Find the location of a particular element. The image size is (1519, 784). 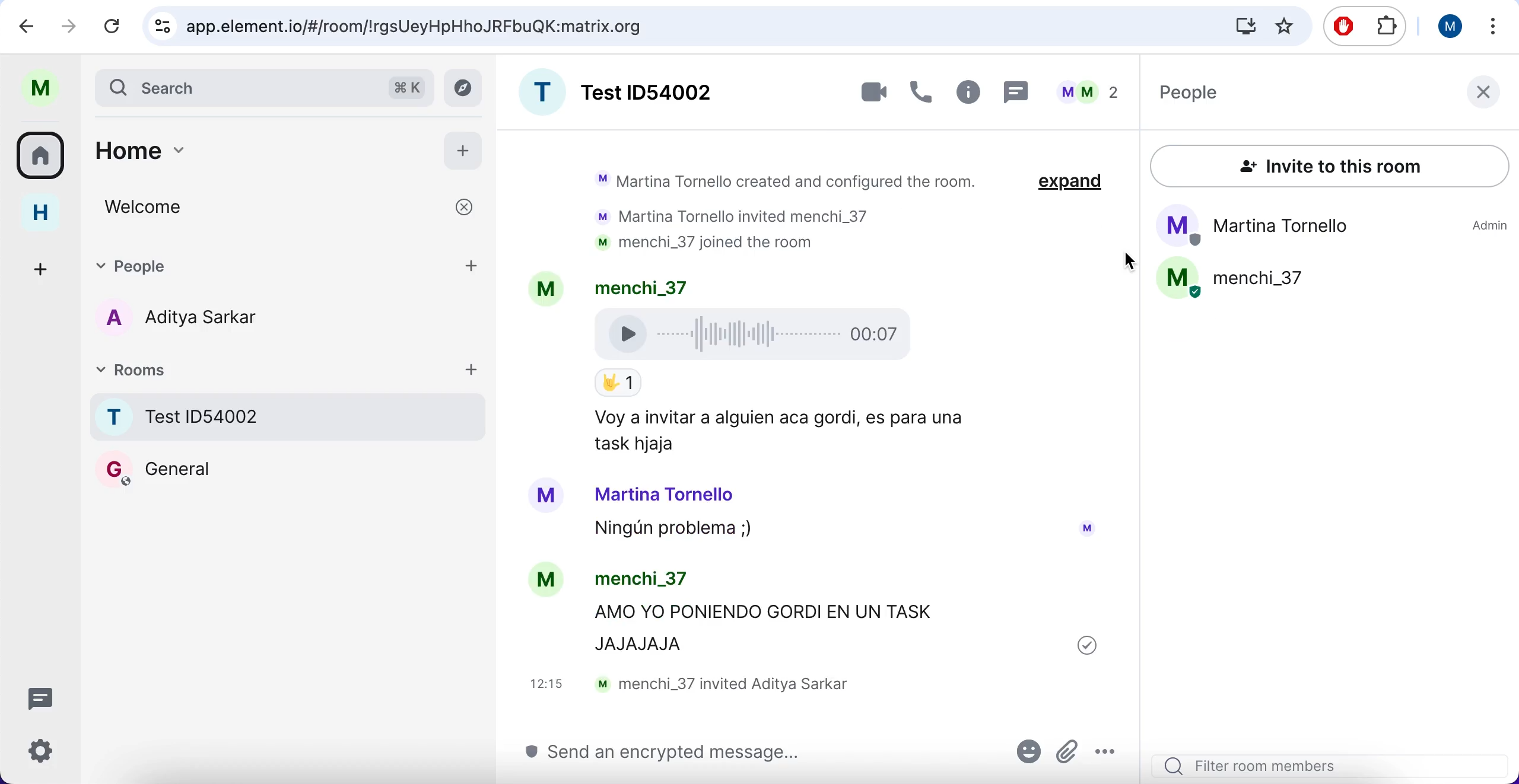

emoji is located at coordinates (1025, 751).